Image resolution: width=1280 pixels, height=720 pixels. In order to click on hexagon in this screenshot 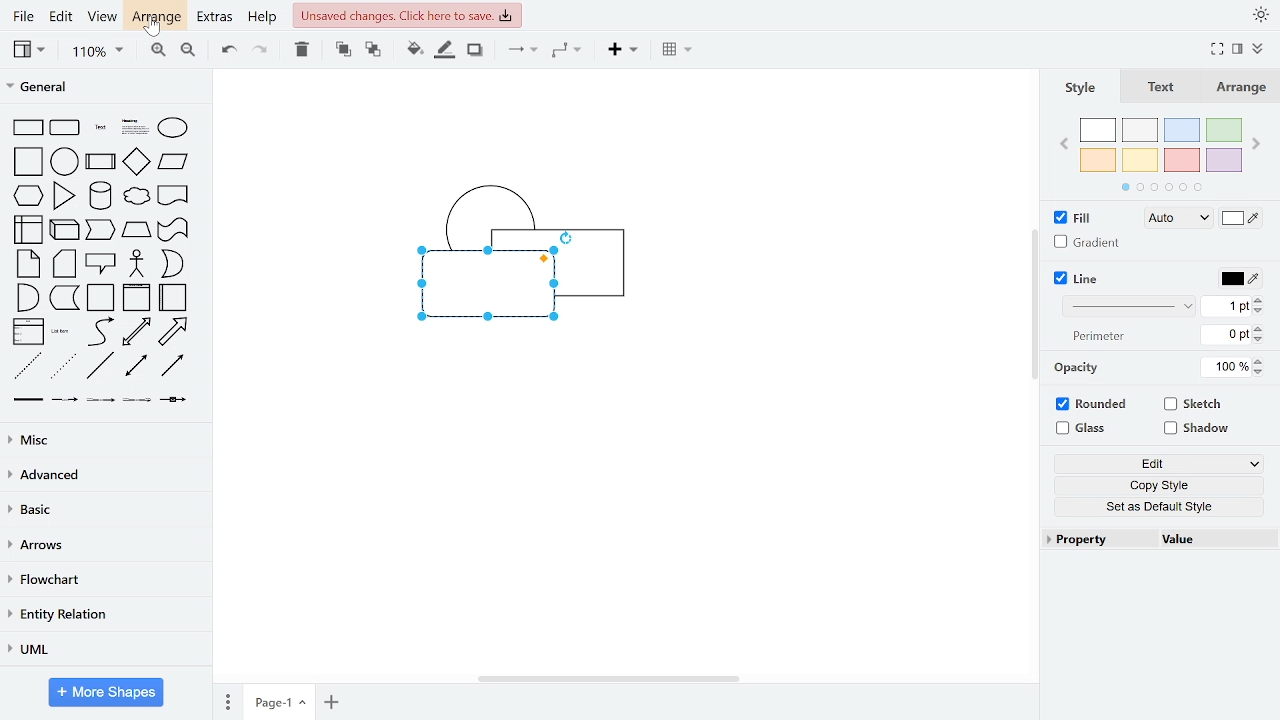, I will do `click(28, 196)`.